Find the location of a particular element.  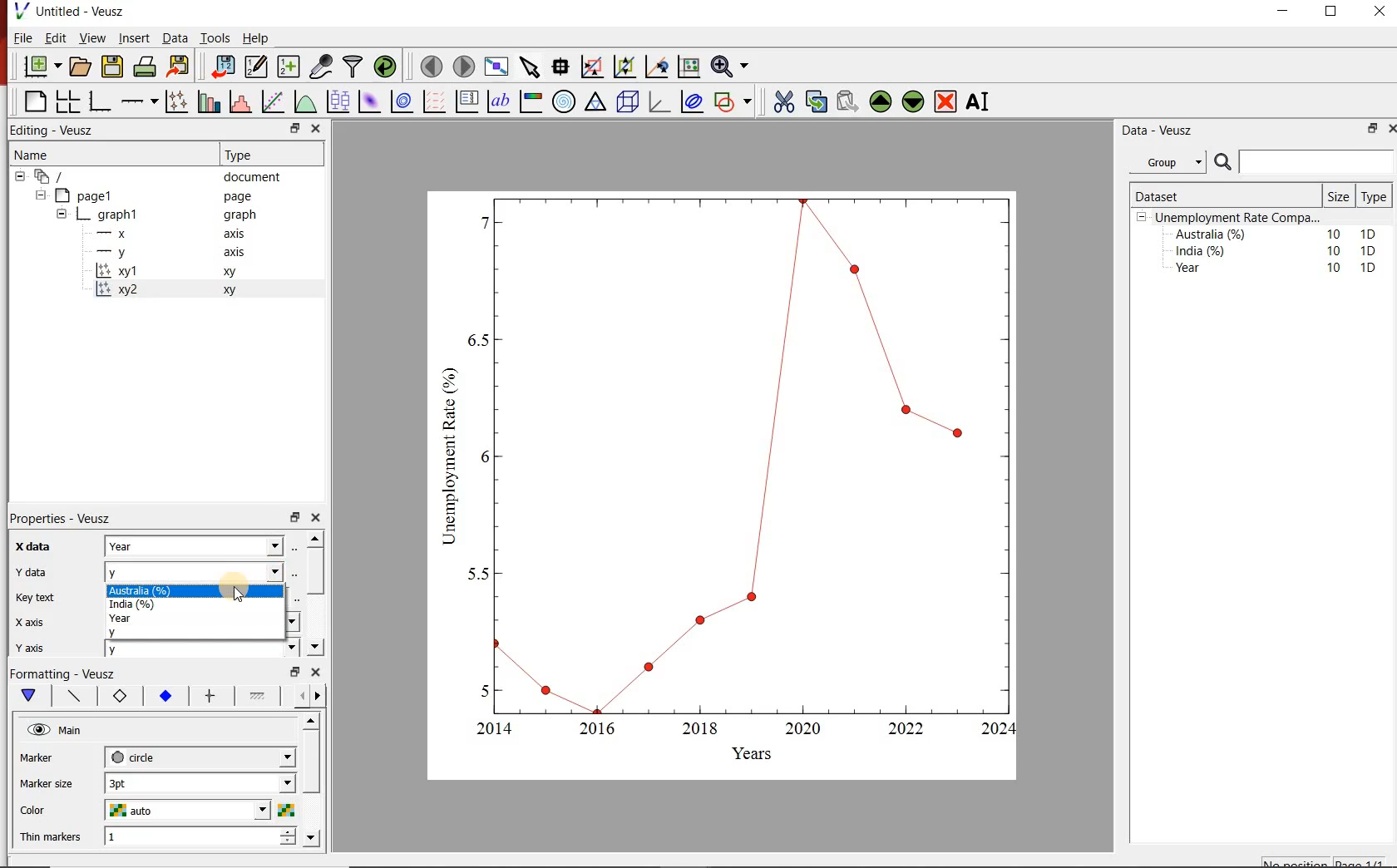

MArker is located at coordinates (48, 760).